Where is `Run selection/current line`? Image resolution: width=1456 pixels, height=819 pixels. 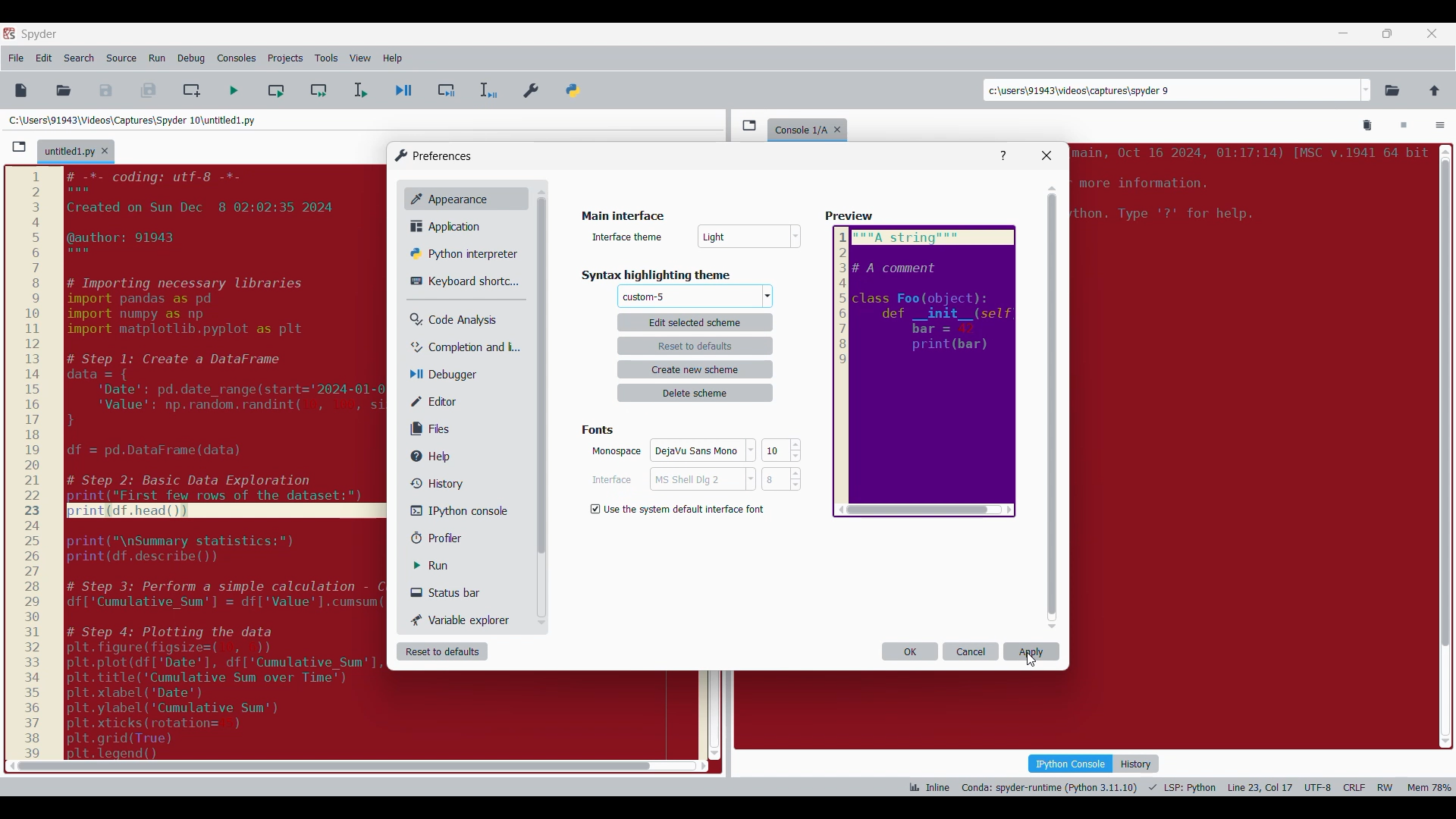 Run selection/current line is located at coordinates (359, 90).